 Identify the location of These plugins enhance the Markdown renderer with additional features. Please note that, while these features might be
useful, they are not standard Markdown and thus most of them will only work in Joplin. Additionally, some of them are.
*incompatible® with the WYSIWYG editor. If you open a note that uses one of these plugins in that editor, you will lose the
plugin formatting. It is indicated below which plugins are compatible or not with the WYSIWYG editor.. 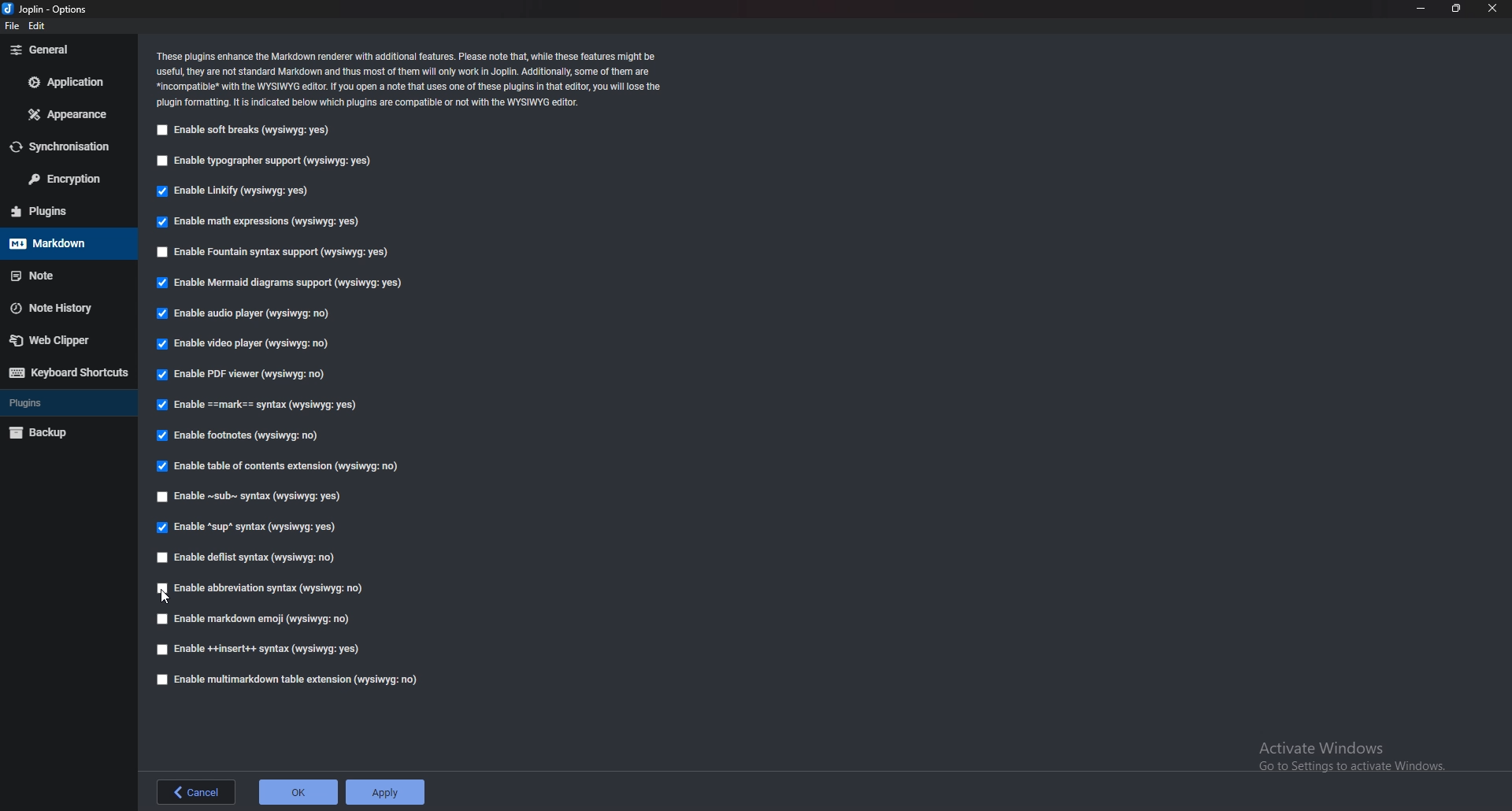
(409, 79).